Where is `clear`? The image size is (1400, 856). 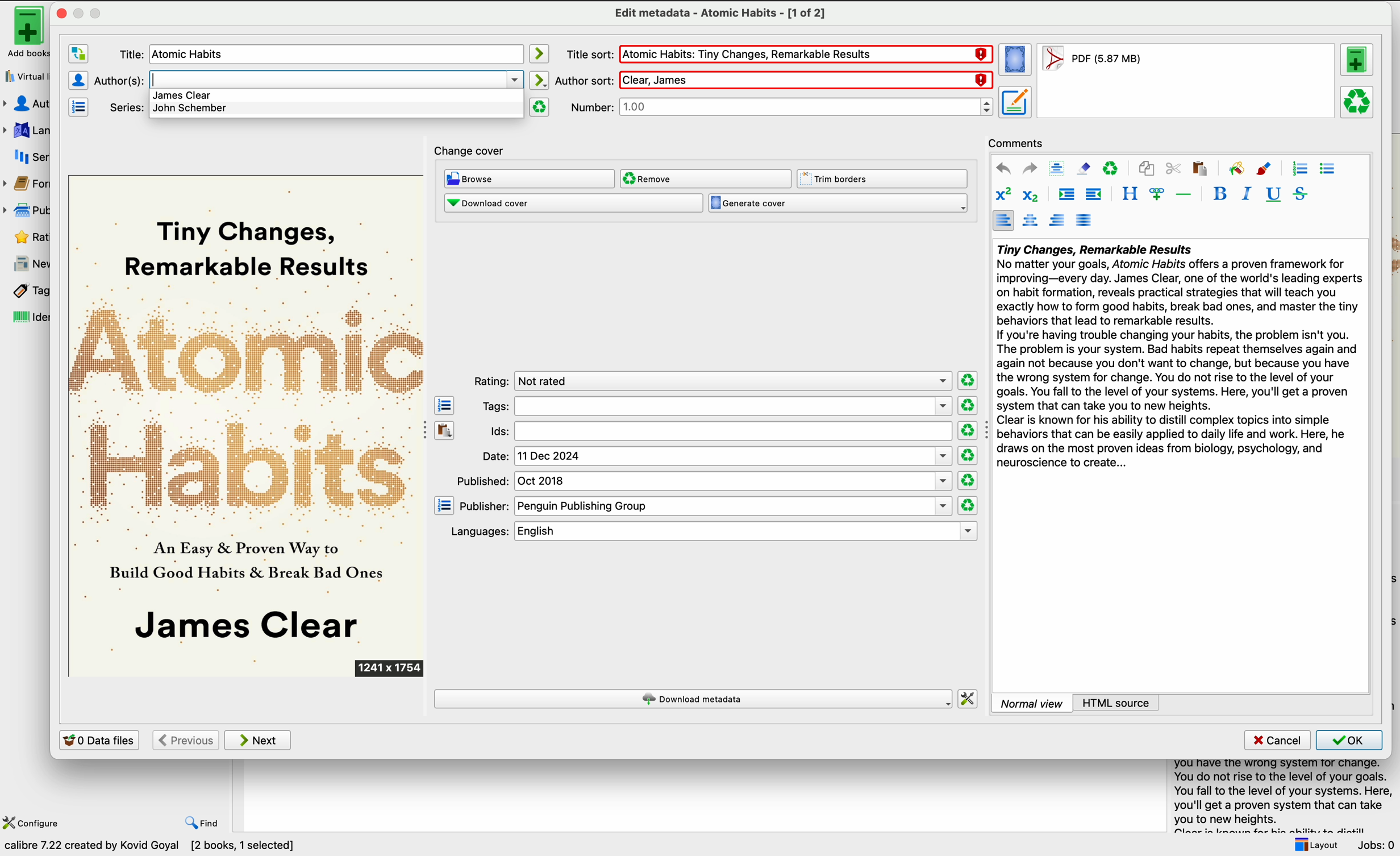
clear is located at coordinates (1111, 168).